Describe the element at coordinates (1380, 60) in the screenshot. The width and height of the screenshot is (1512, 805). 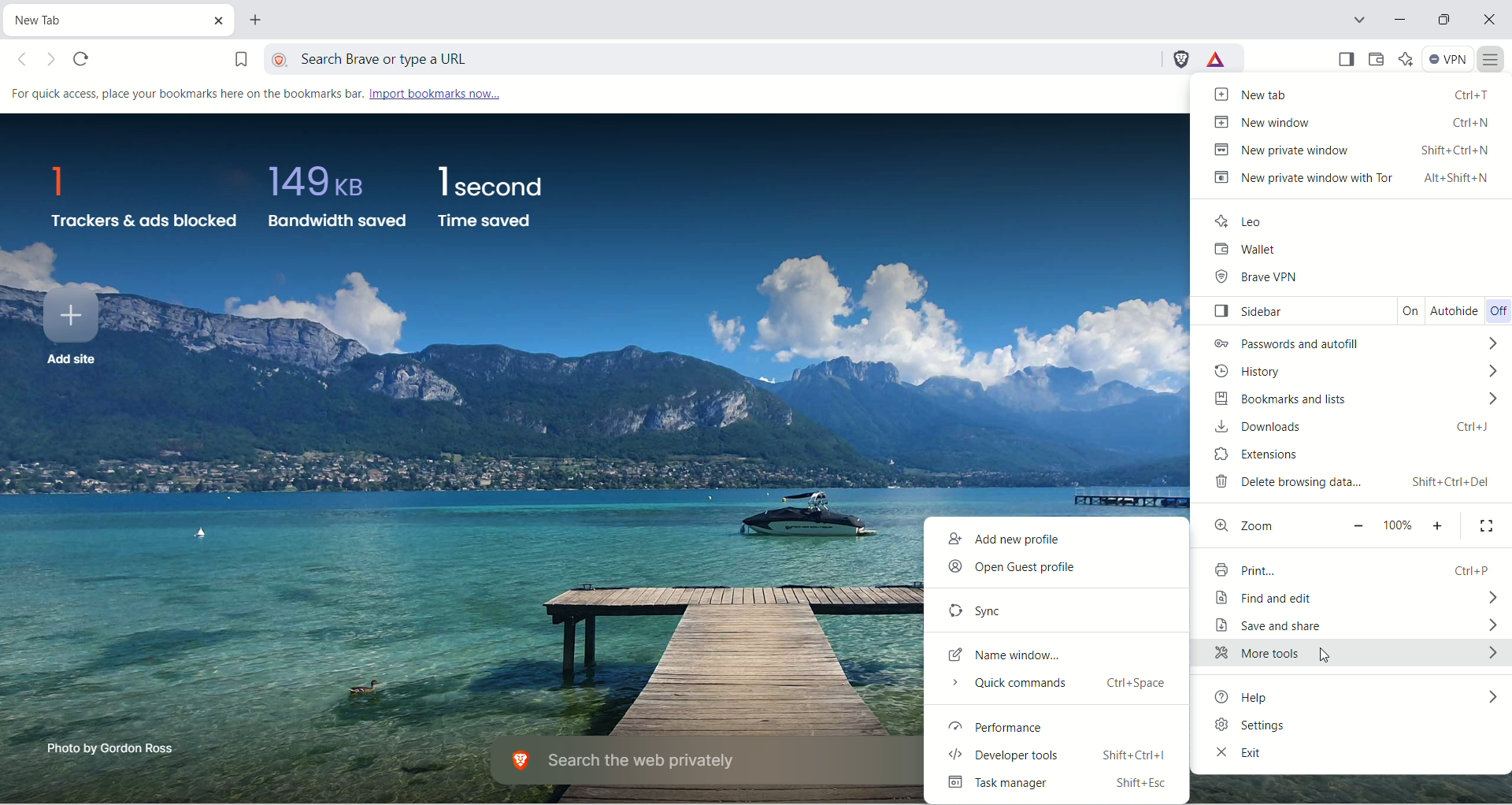
I see `wallet` at that location.